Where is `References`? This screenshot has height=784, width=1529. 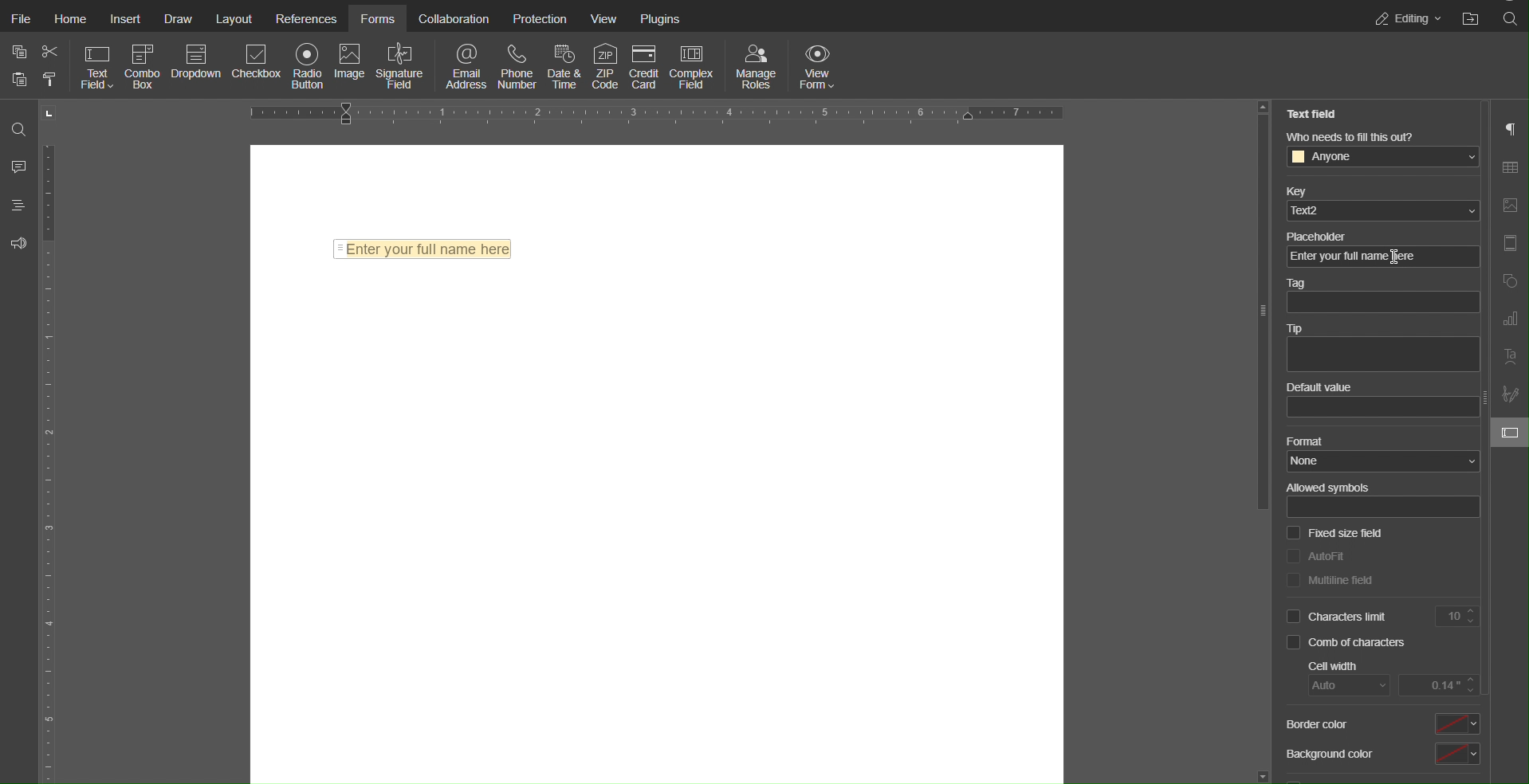
References is located at coordinates (305, 20).